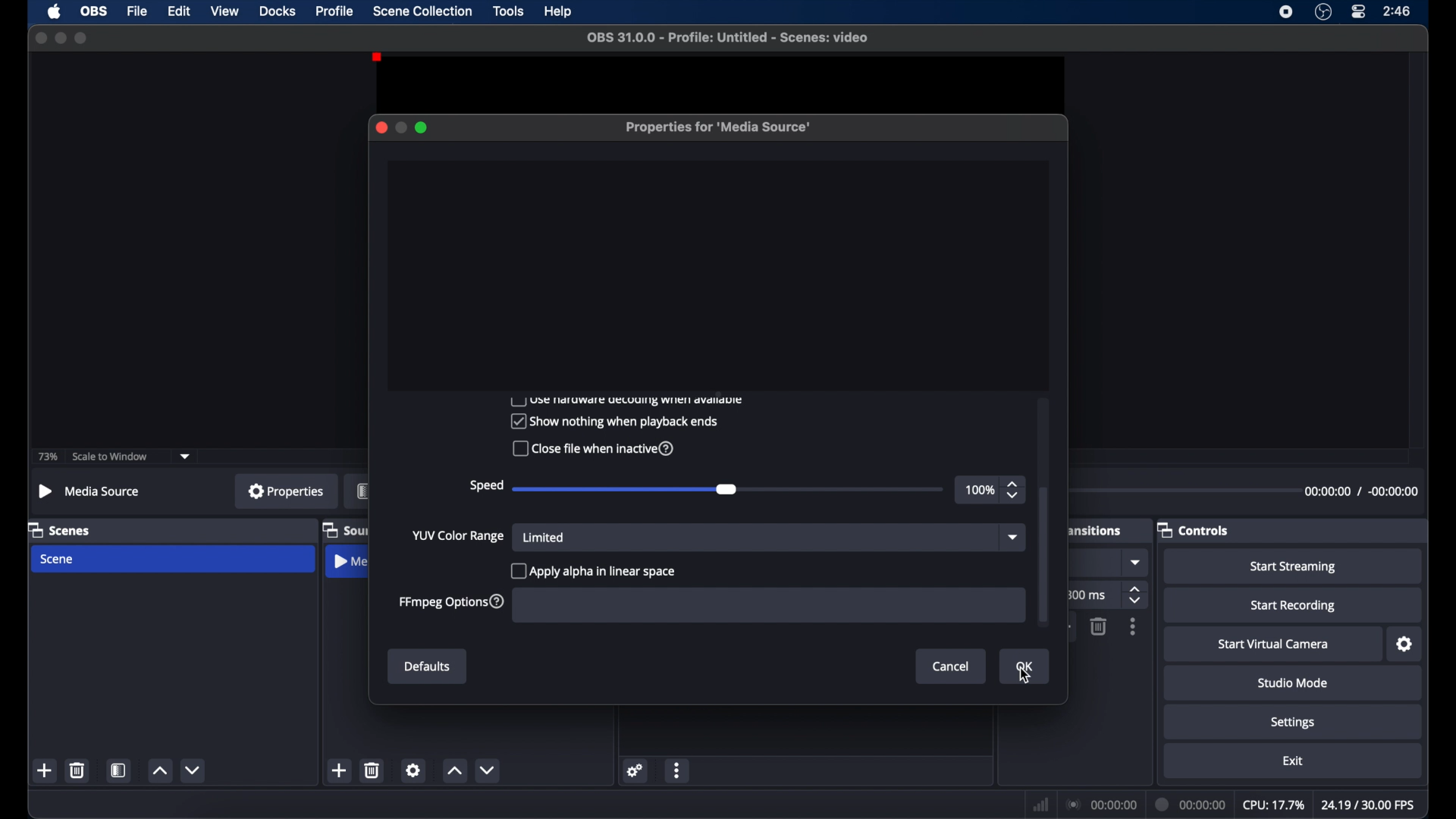 This screenshot has height=819, width=1456. Describe the element at coordinates (1293, 682) in the screenshot. I see `studio mode` at that location.